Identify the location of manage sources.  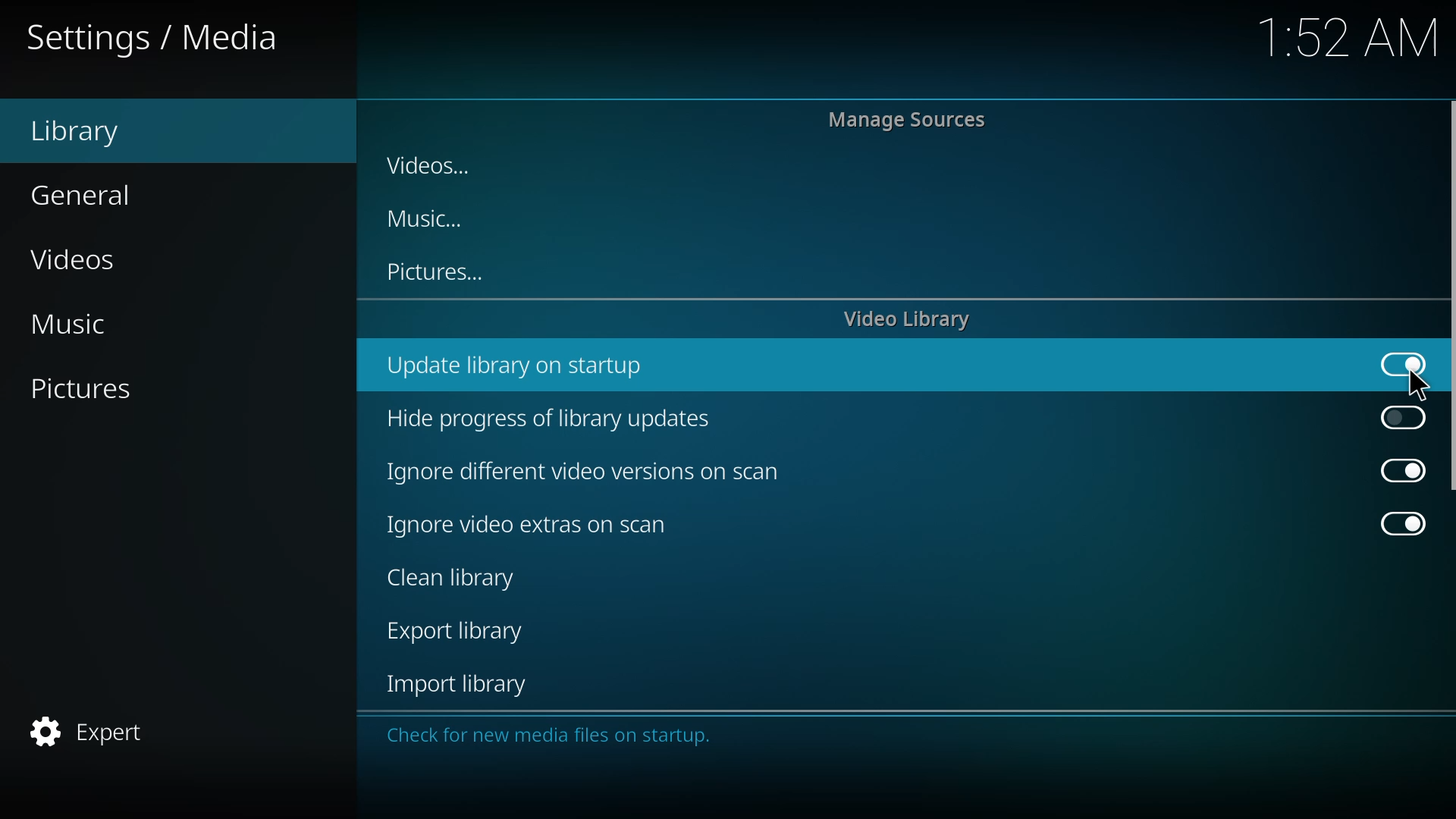
(910, 118).